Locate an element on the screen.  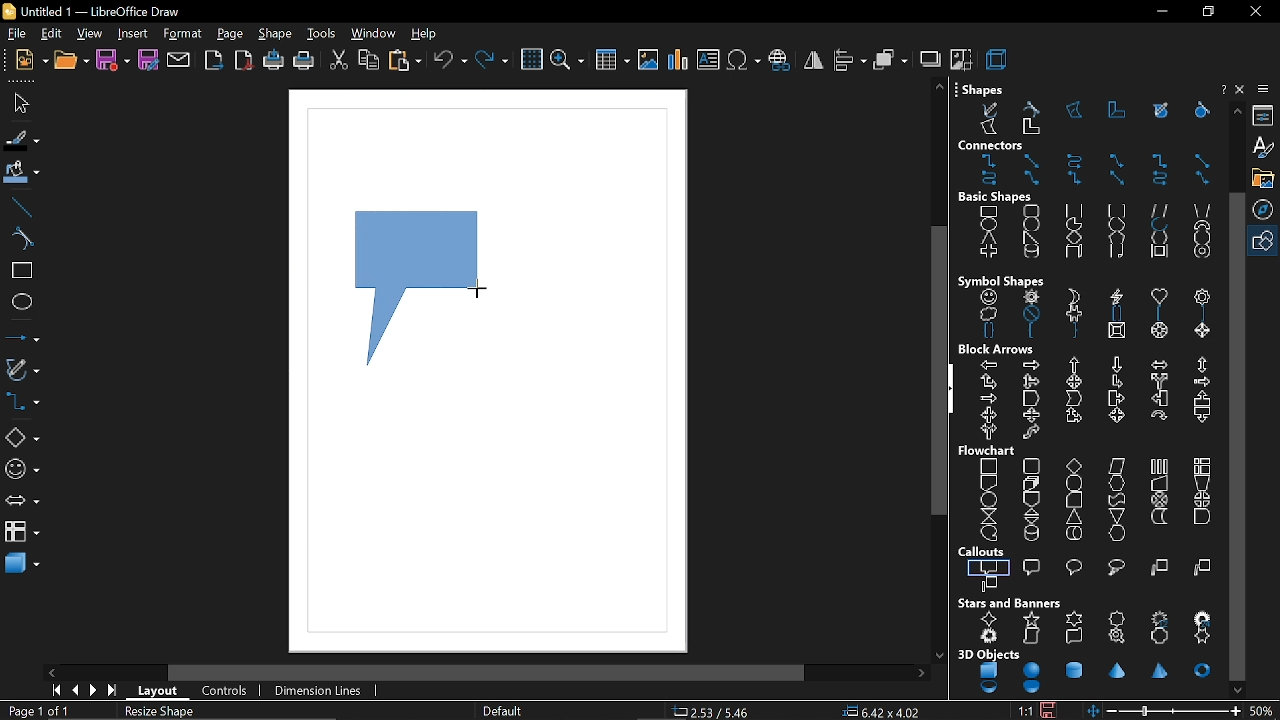
s shaped arrow is located at coordinates (1032, 434).